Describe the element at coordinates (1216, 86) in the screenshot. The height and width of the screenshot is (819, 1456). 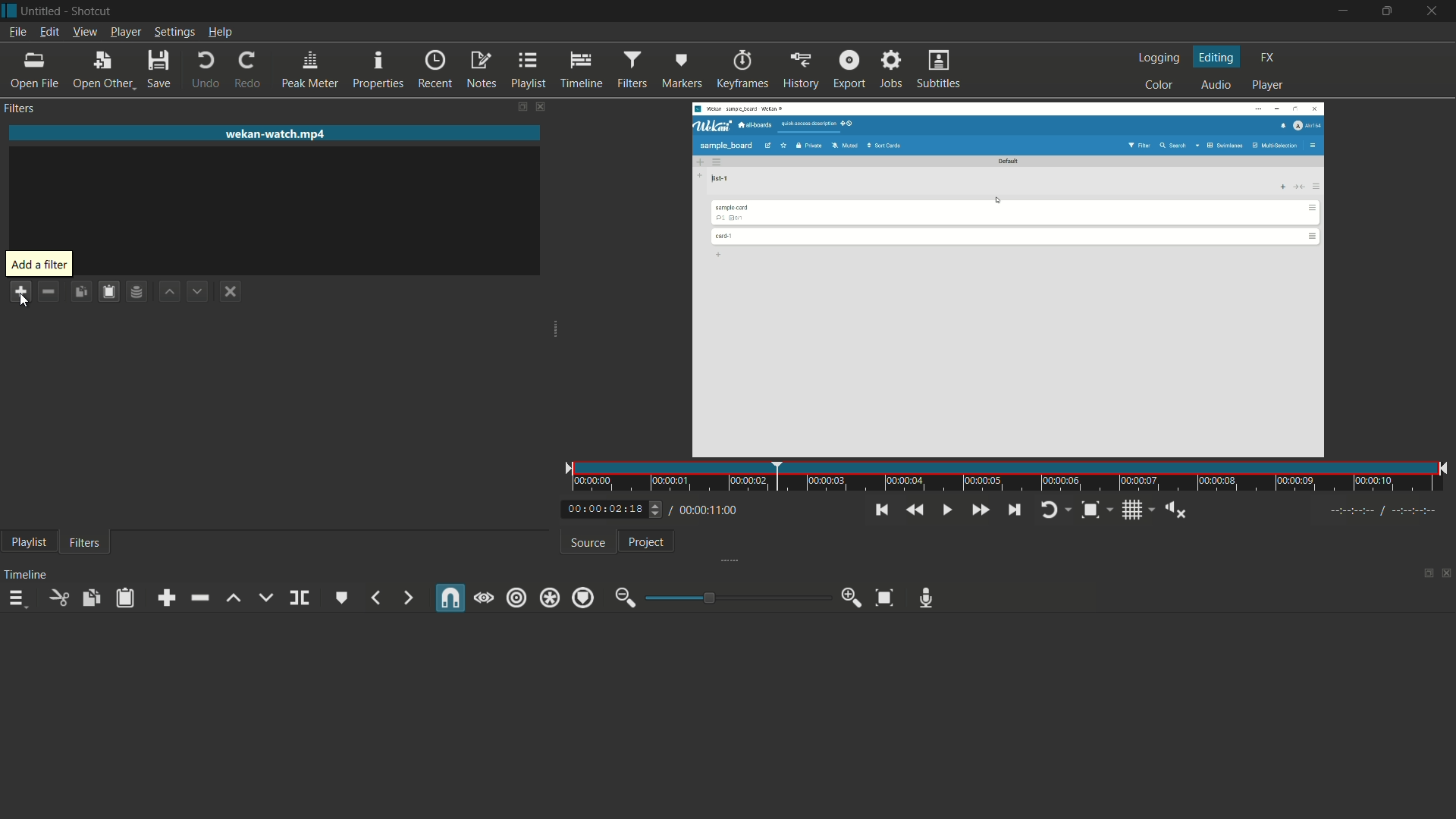
I see `audio` at that location.